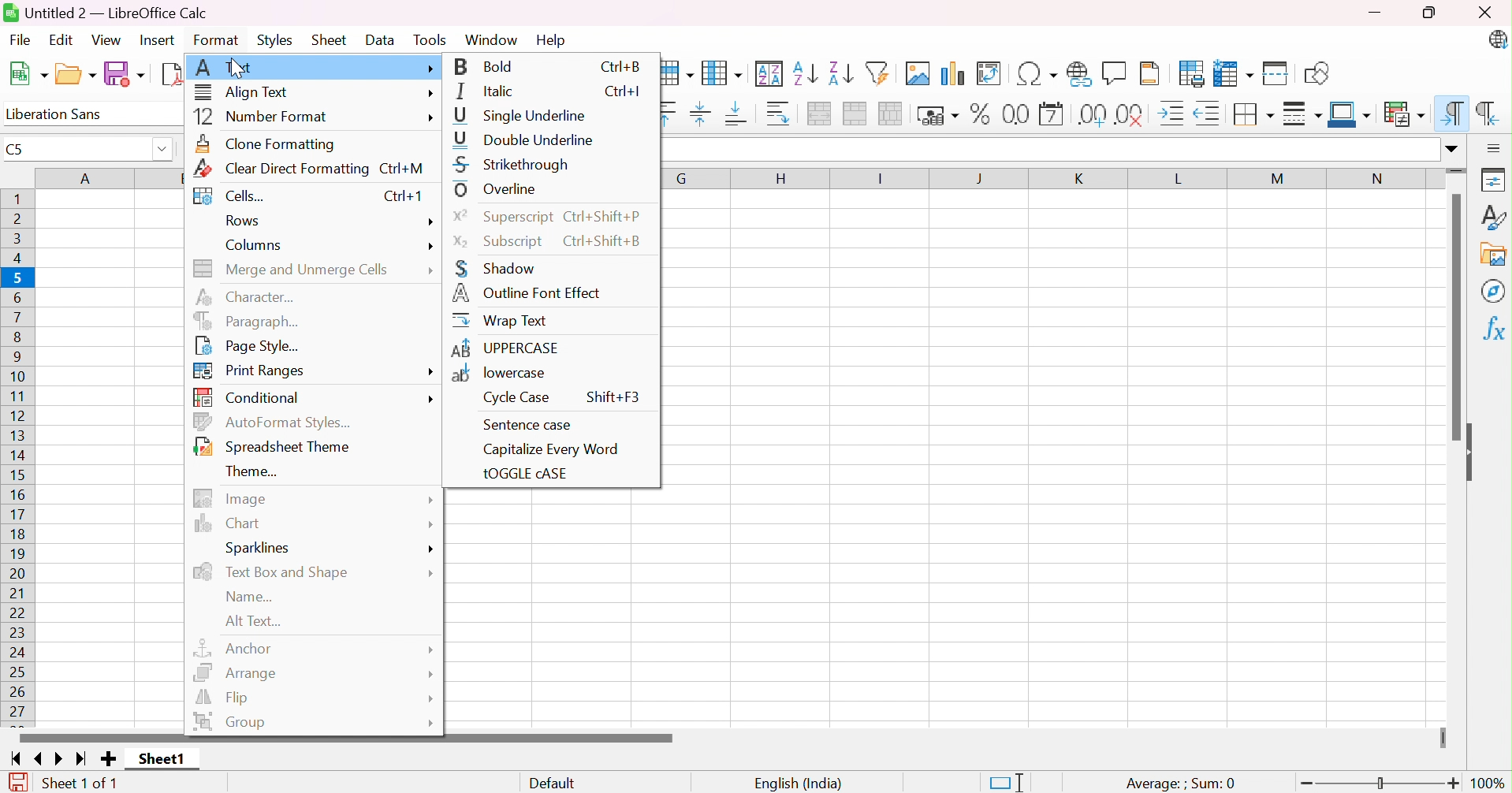  I want to click on Row Numbers, so click(20, 456).